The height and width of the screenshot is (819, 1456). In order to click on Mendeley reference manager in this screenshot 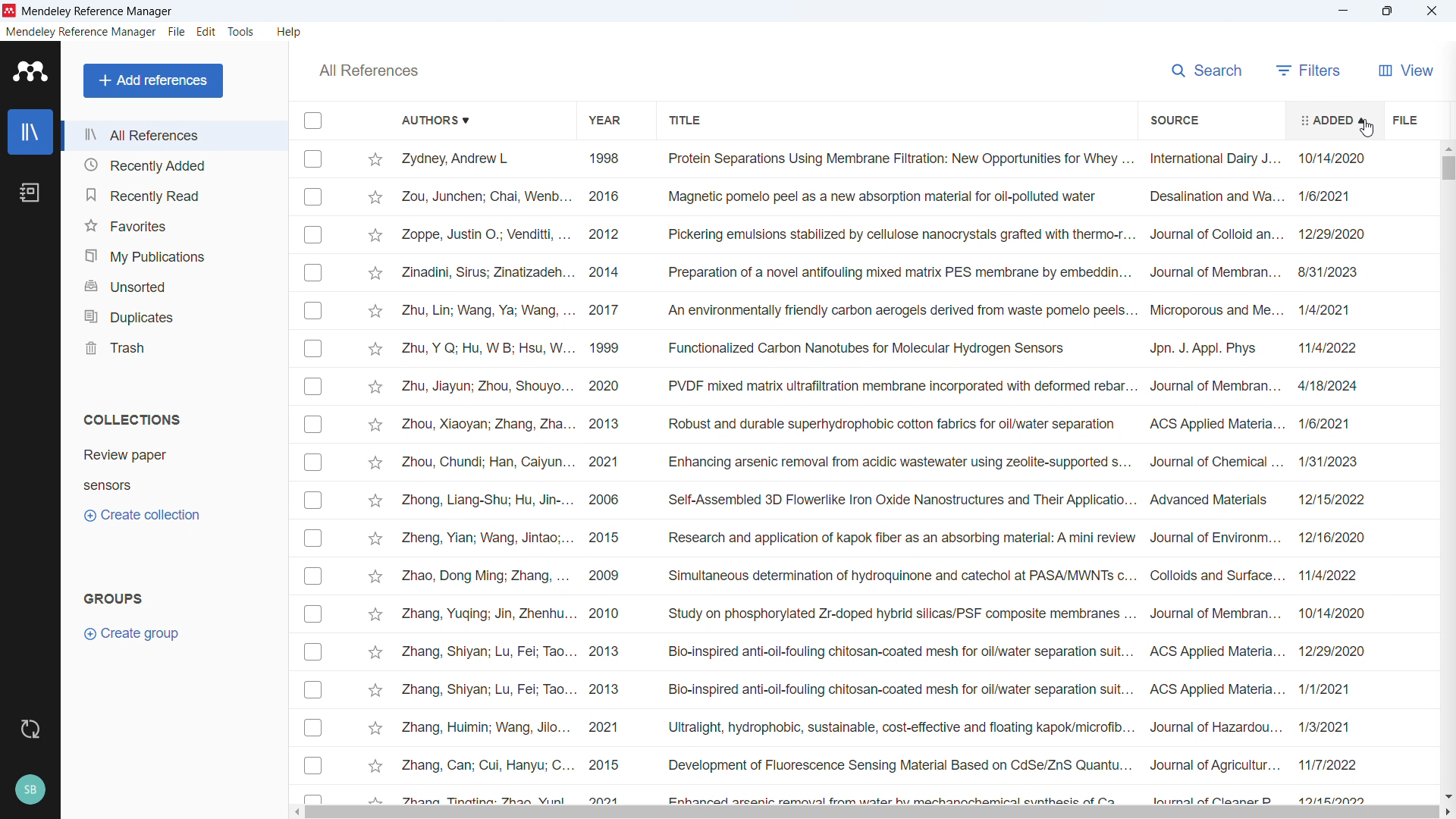, I will do `click(80, 32)`.